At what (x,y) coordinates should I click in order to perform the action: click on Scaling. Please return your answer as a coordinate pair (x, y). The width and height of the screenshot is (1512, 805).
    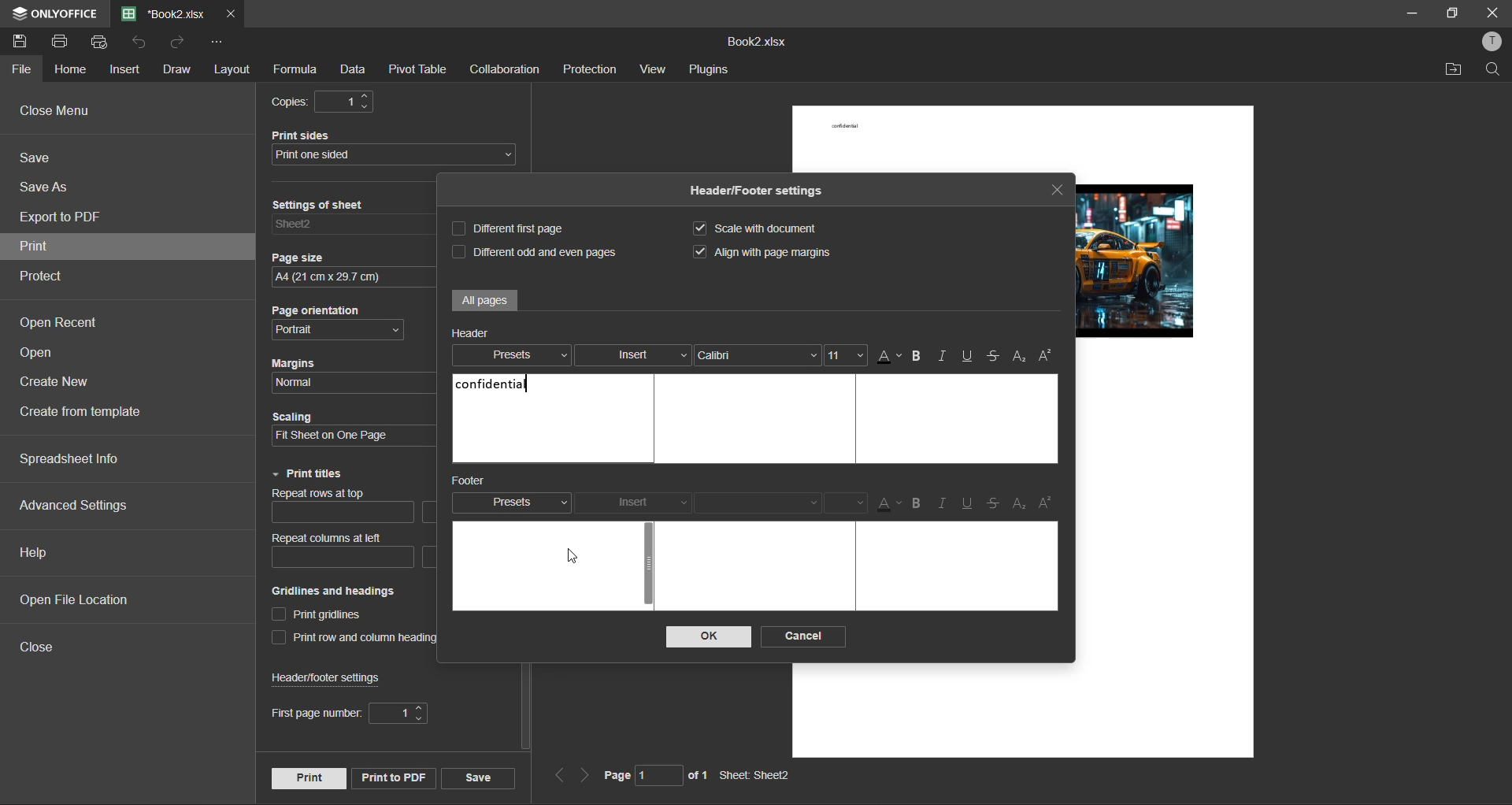
    Looking at the image, I should click on (295, 417).